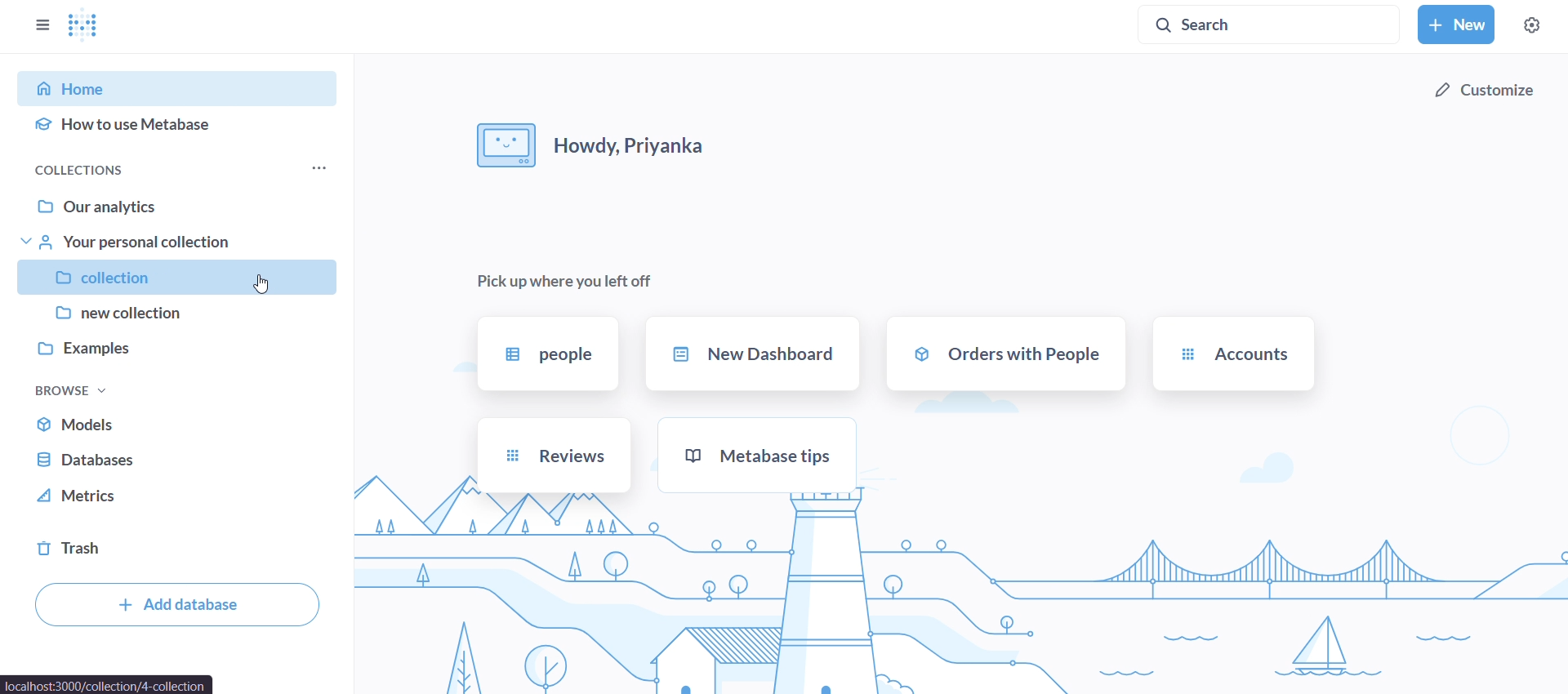 Image resolution: width=1568 pixels, height=694 pixels. I want to click on close sidebar, so click(41, 24).